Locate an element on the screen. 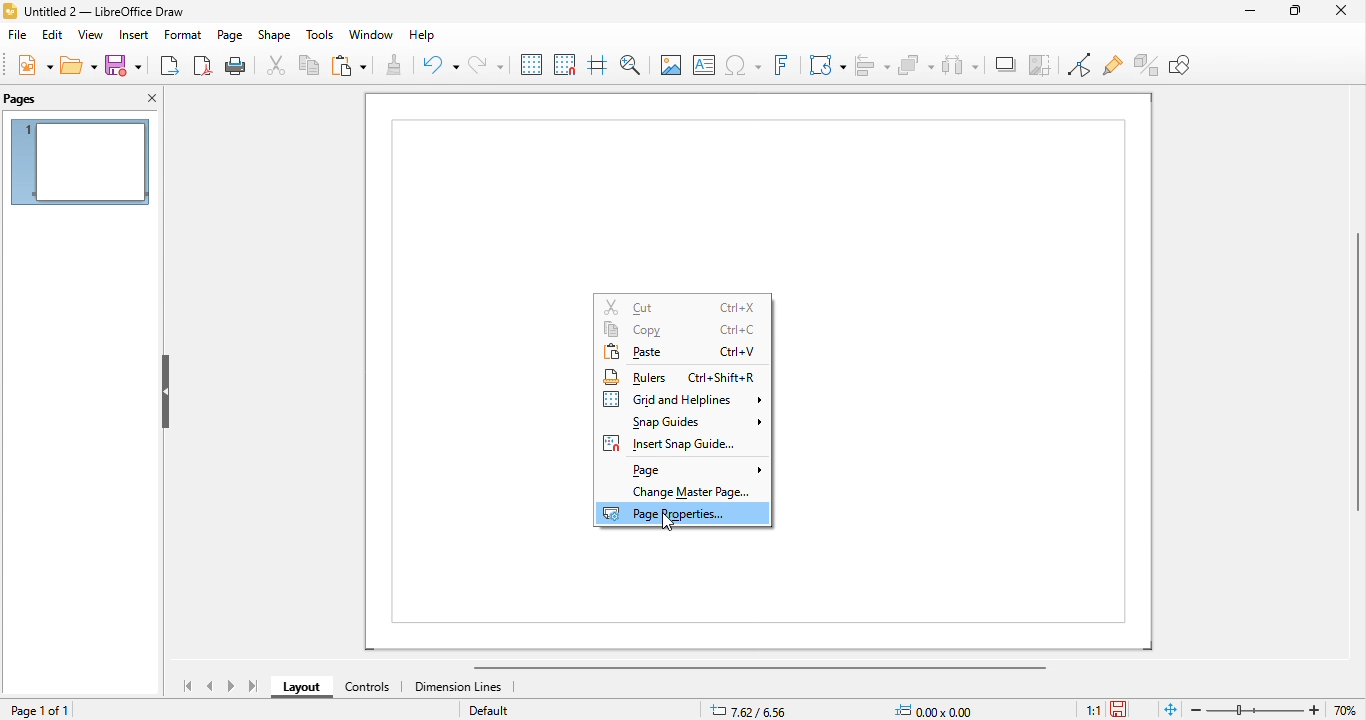 The width and height of the screenshot is (1366, 720). page is located at coordinates (231, 35).